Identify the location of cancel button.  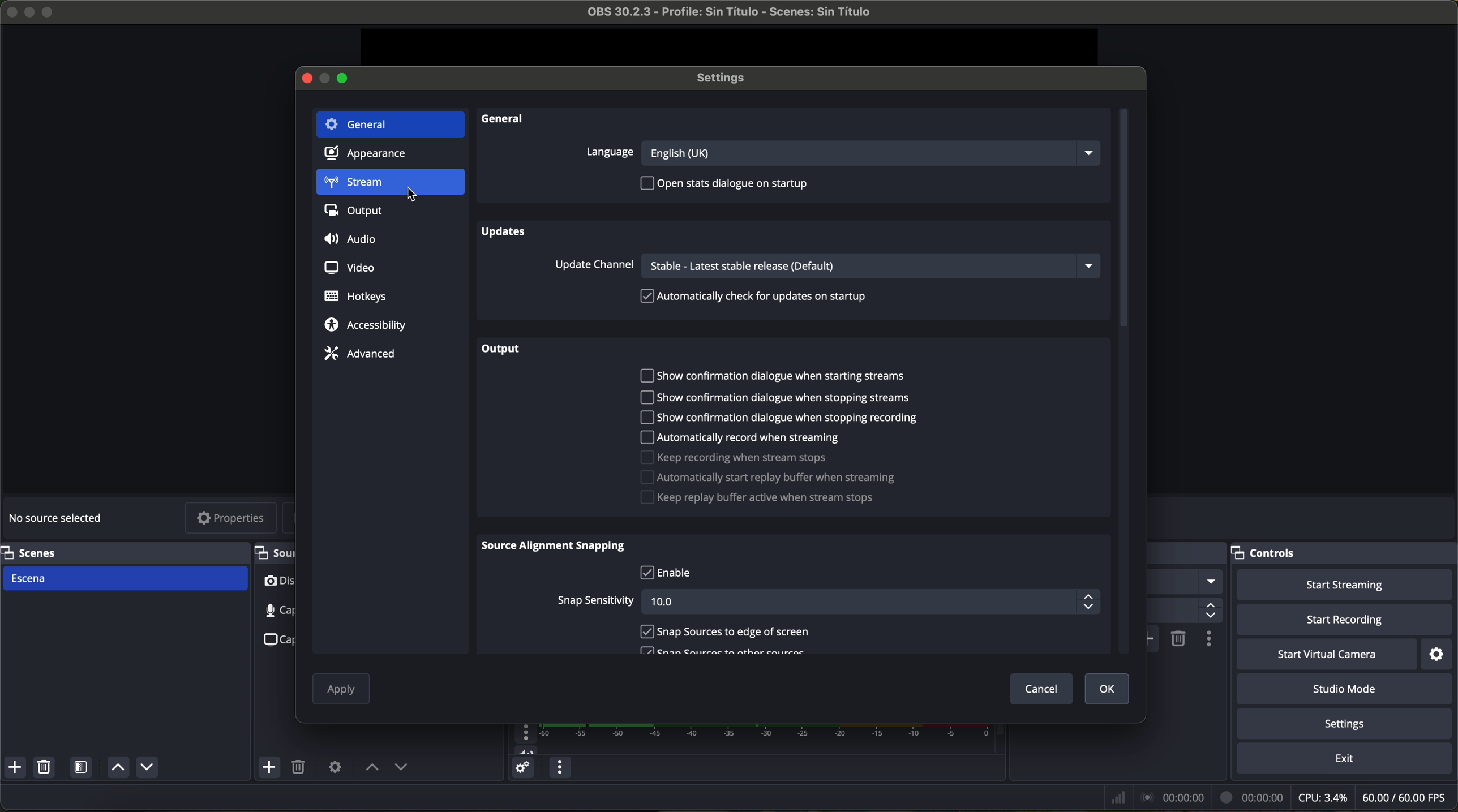
(1041, 689).